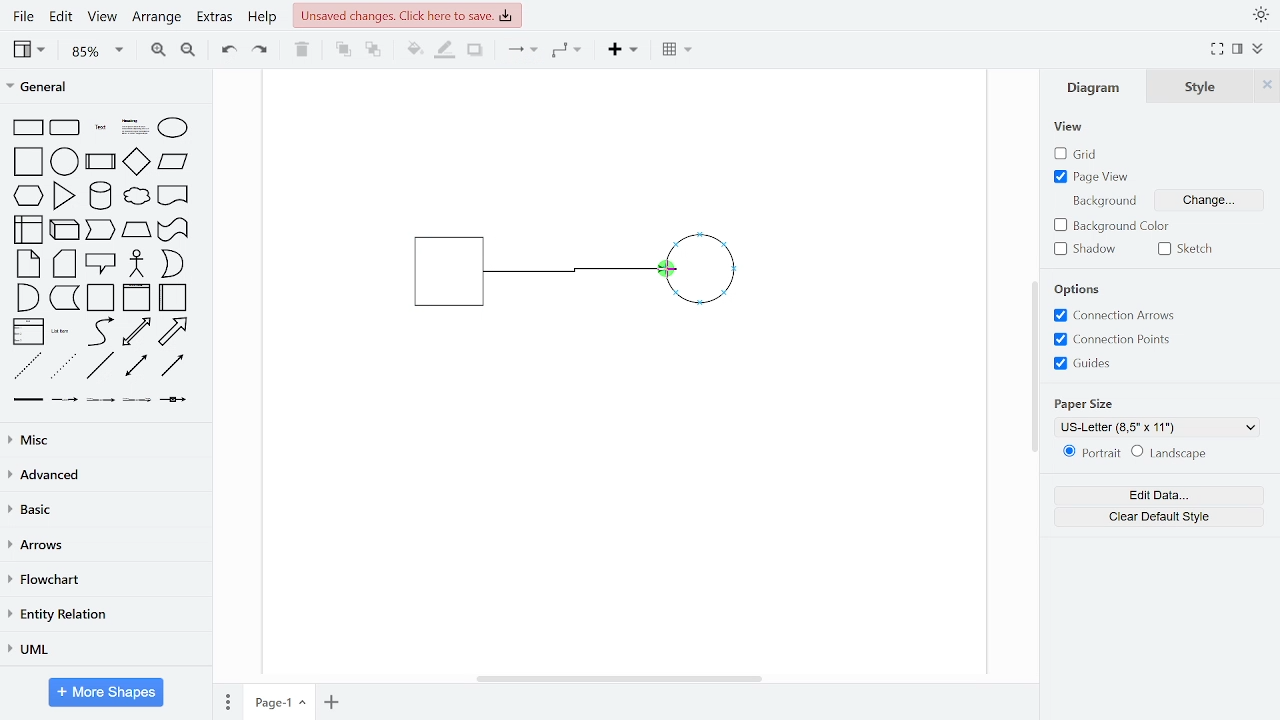 The height and width of the screenshot is (720, 1280). I want to click on undo, so click(224, 48).